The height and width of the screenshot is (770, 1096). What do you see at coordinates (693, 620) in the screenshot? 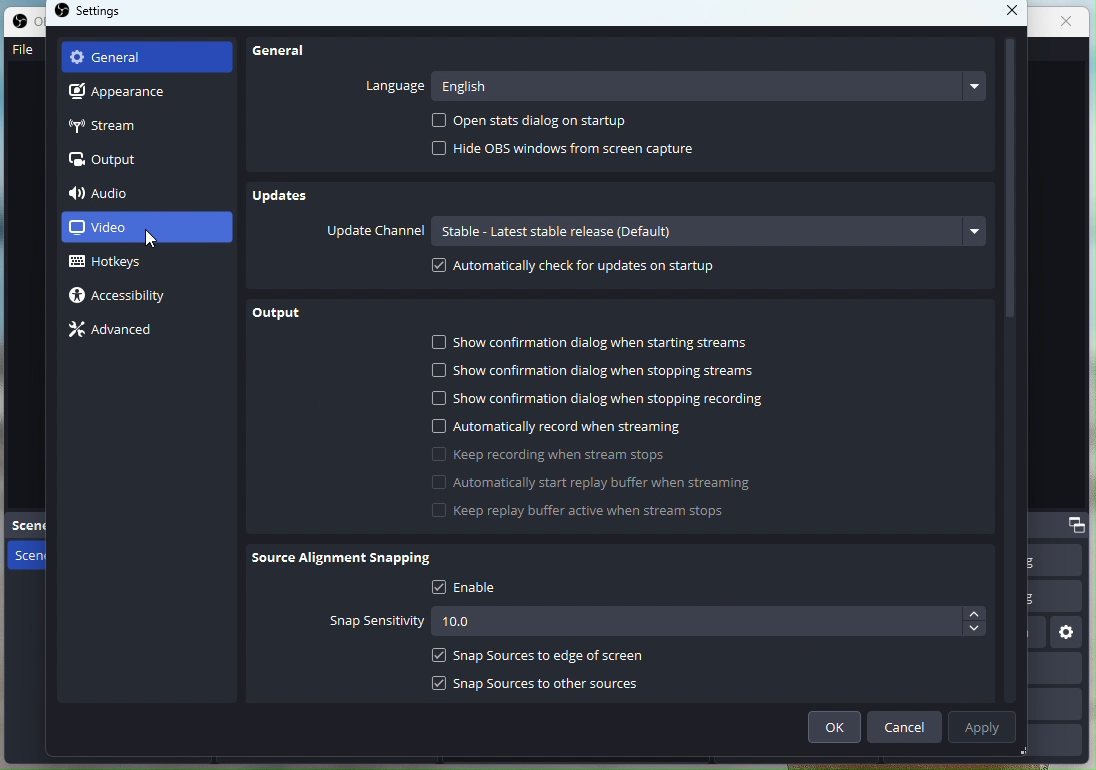
I see `10.0` at bounding box center [693, 620].